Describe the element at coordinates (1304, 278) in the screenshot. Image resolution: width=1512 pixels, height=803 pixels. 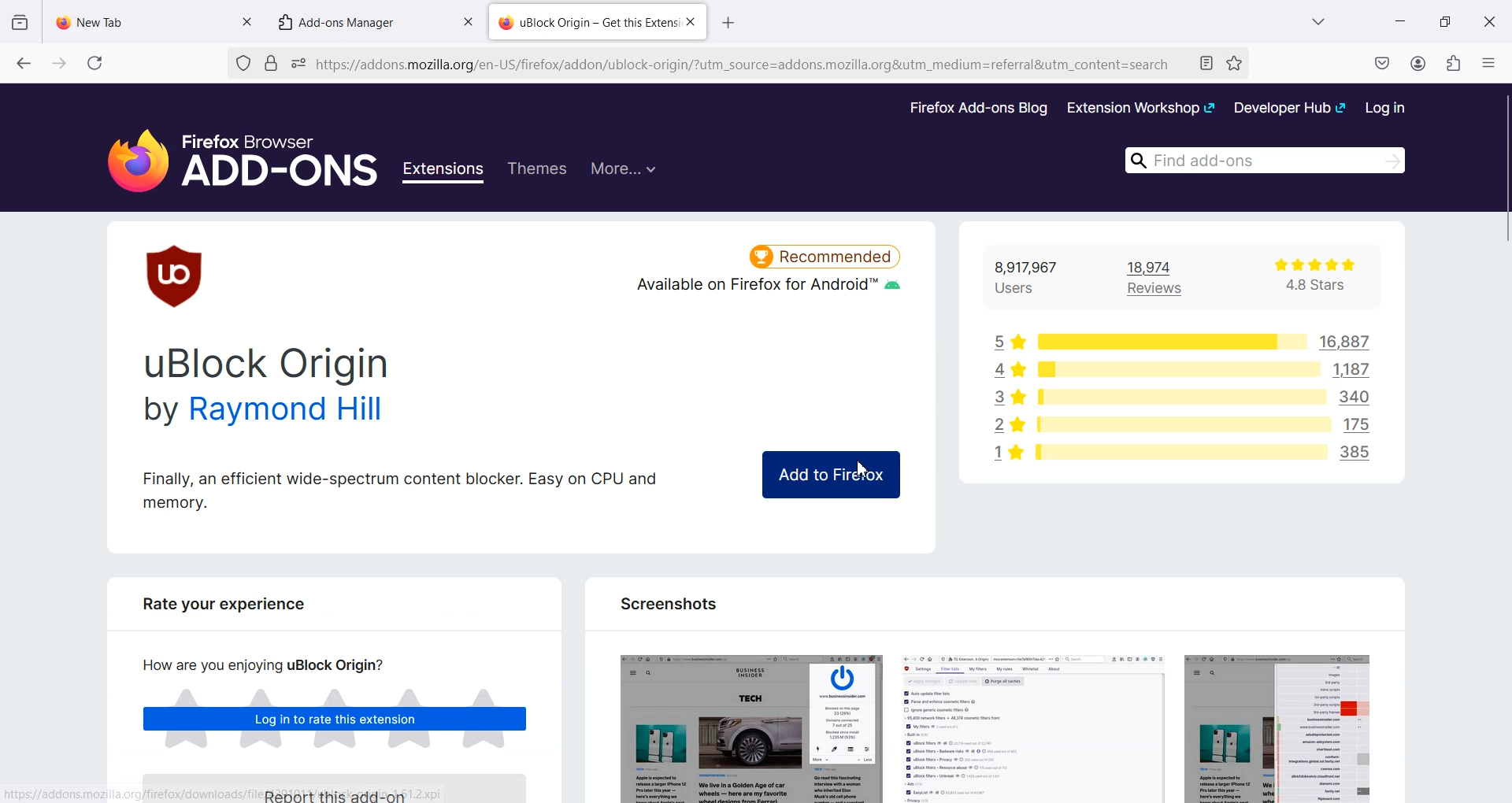
I see `4.8 Stars rating` at that location.